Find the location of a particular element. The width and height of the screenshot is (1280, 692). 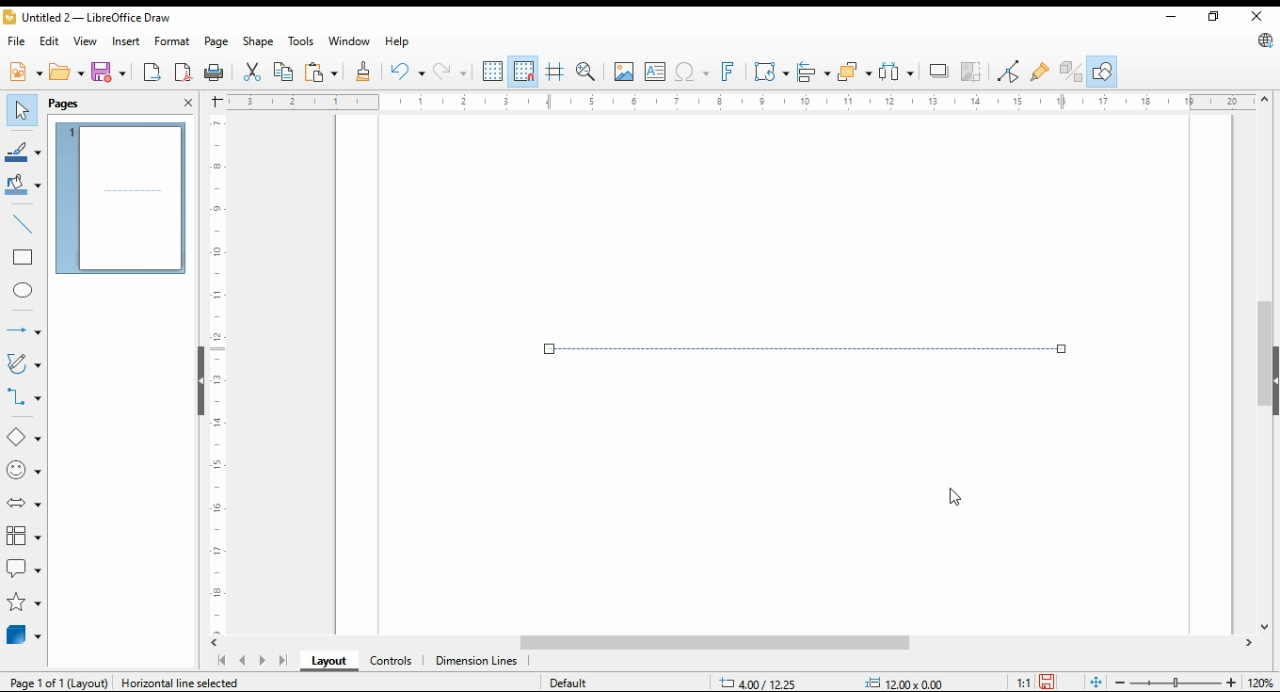

close window is located at coordinates (1258, 16).